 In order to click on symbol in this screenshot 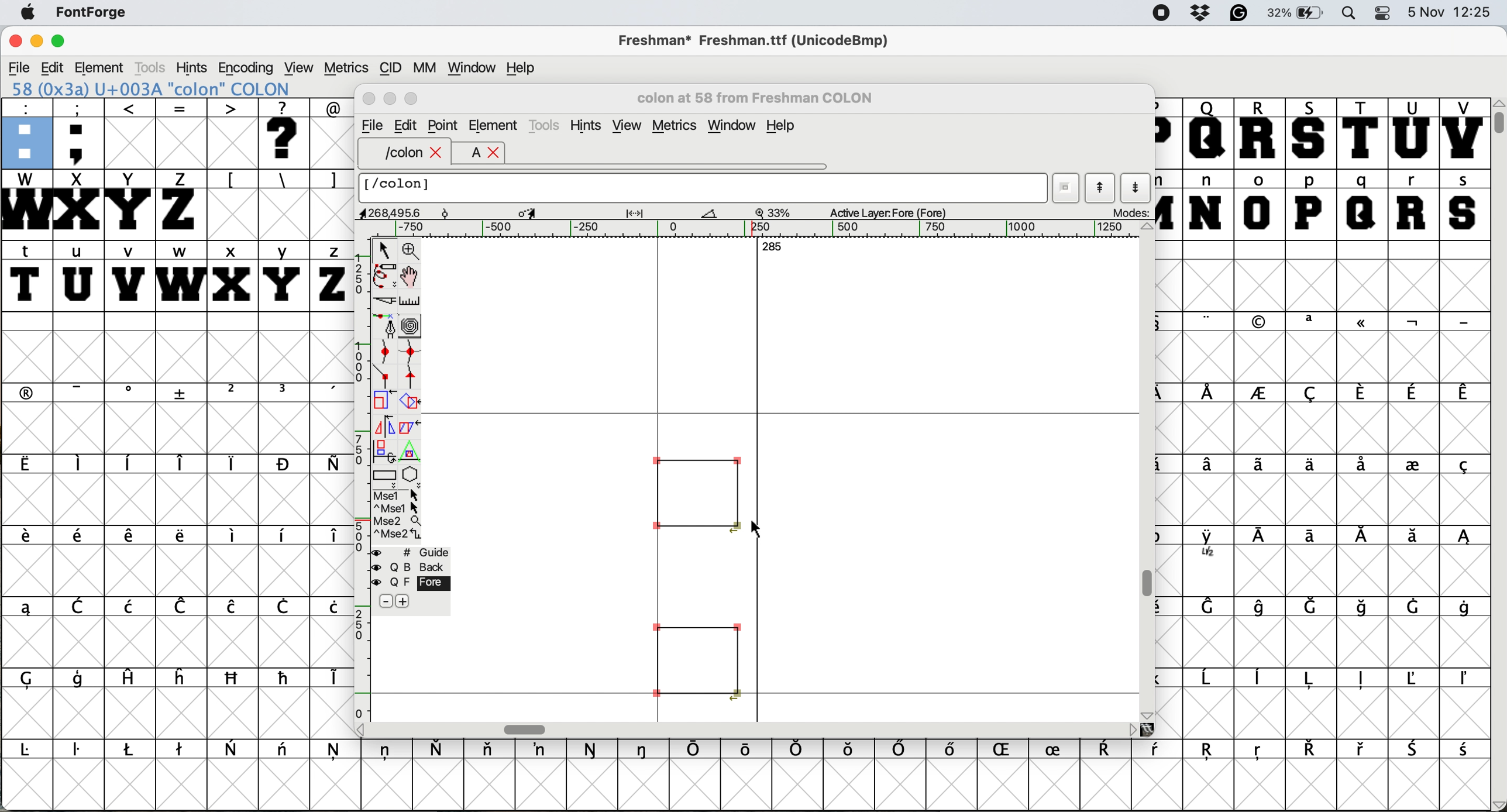, I will do `click(81, 606)`.